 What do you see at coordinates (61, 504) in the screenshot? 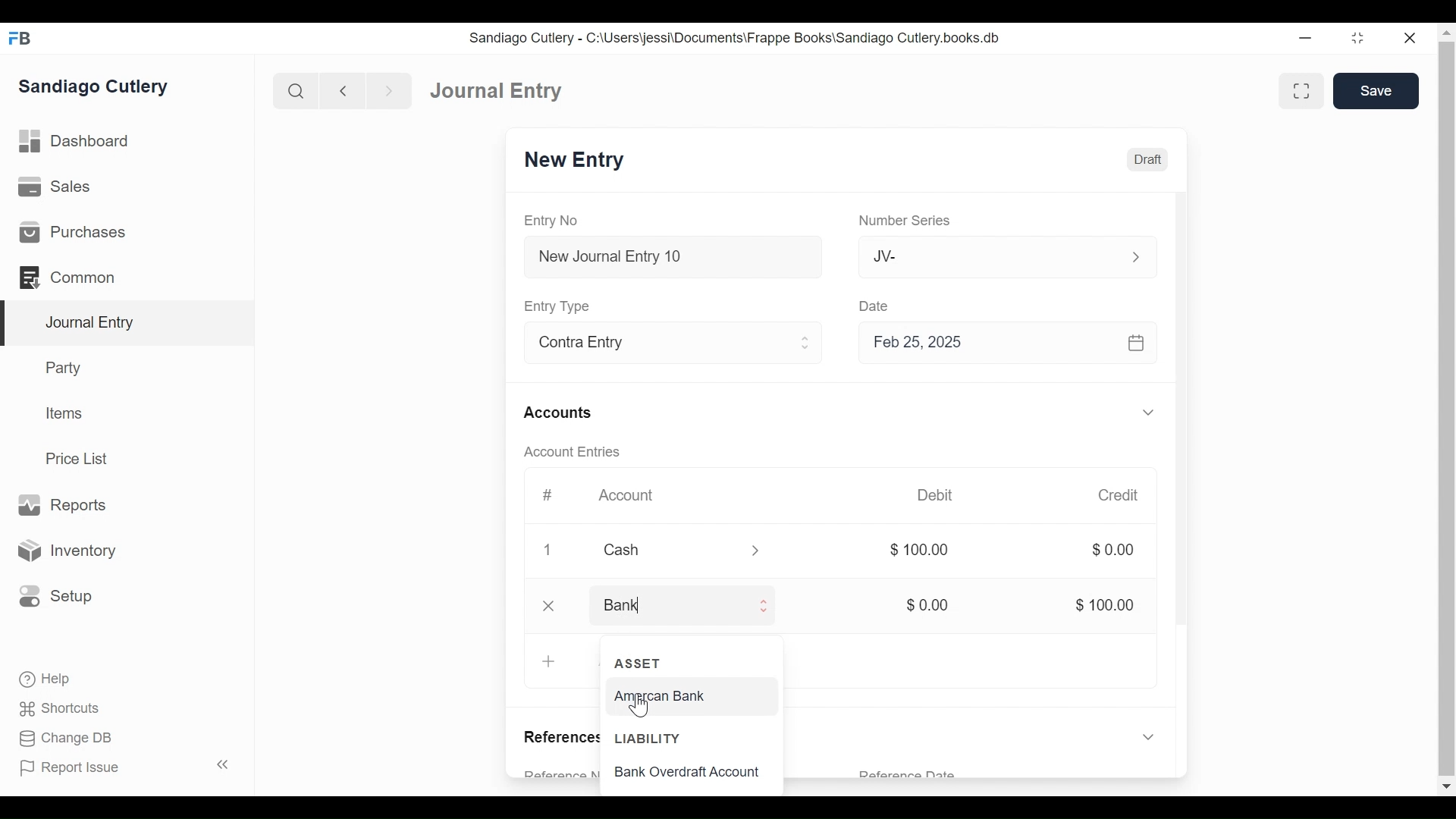
I see `Reports` at bounding box center [61, 504].